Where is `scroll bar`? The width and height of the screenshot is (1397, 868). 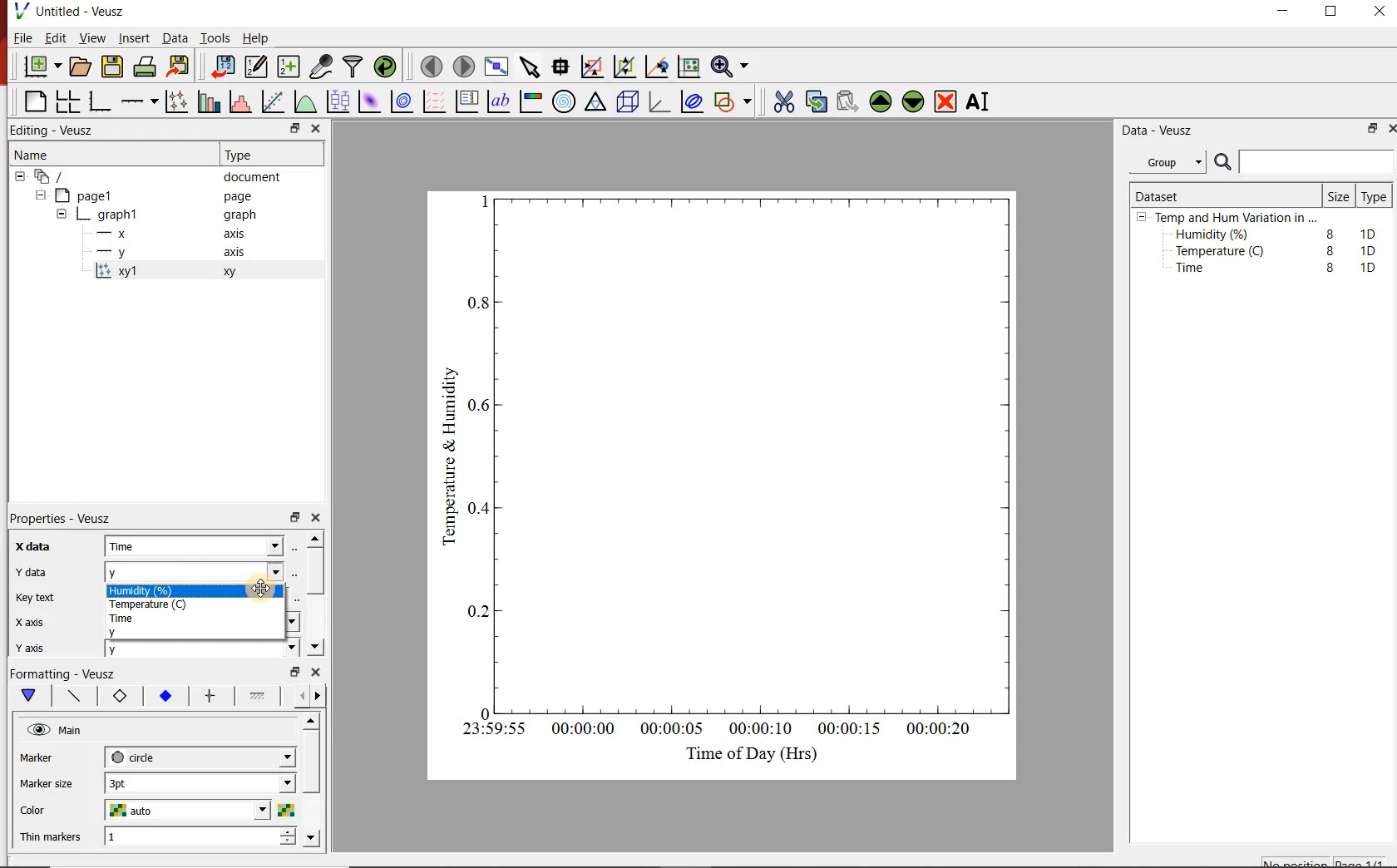
scroll bar is located at coordinates (313, 778).